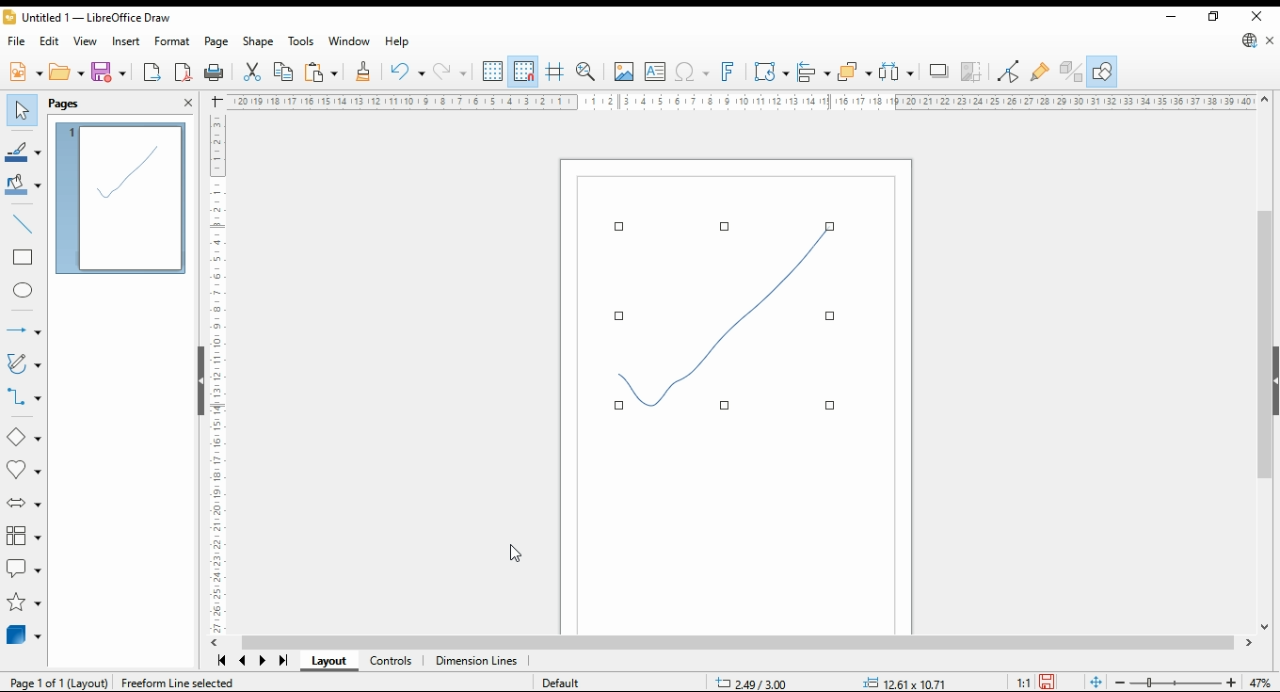  What do you see at coordinates (1260, 683) in the screenshot?
I see `zoom factor` at bounding box center [1260, 683].